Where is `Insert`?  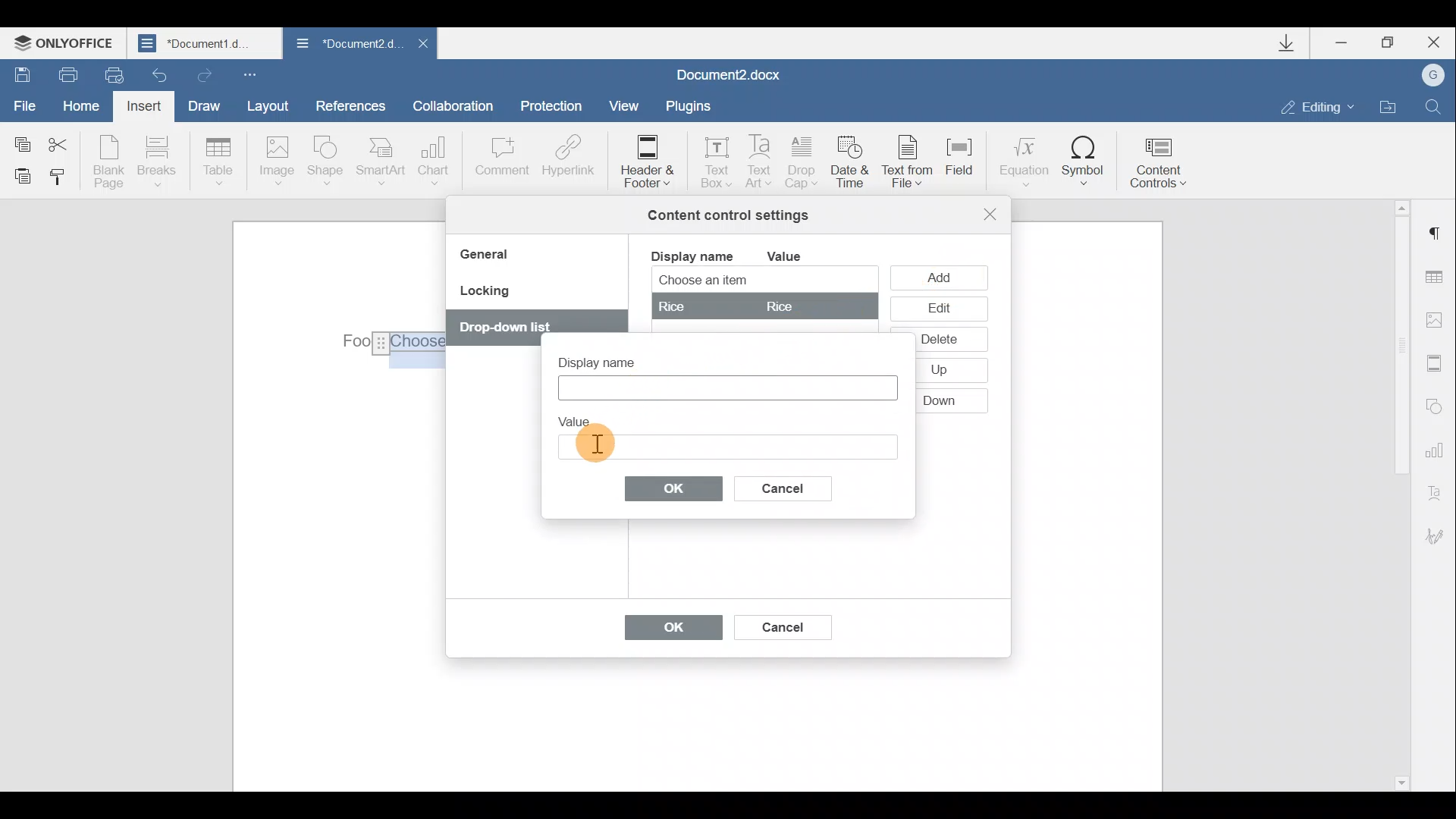
Insert is located at coordinates (146, 109).